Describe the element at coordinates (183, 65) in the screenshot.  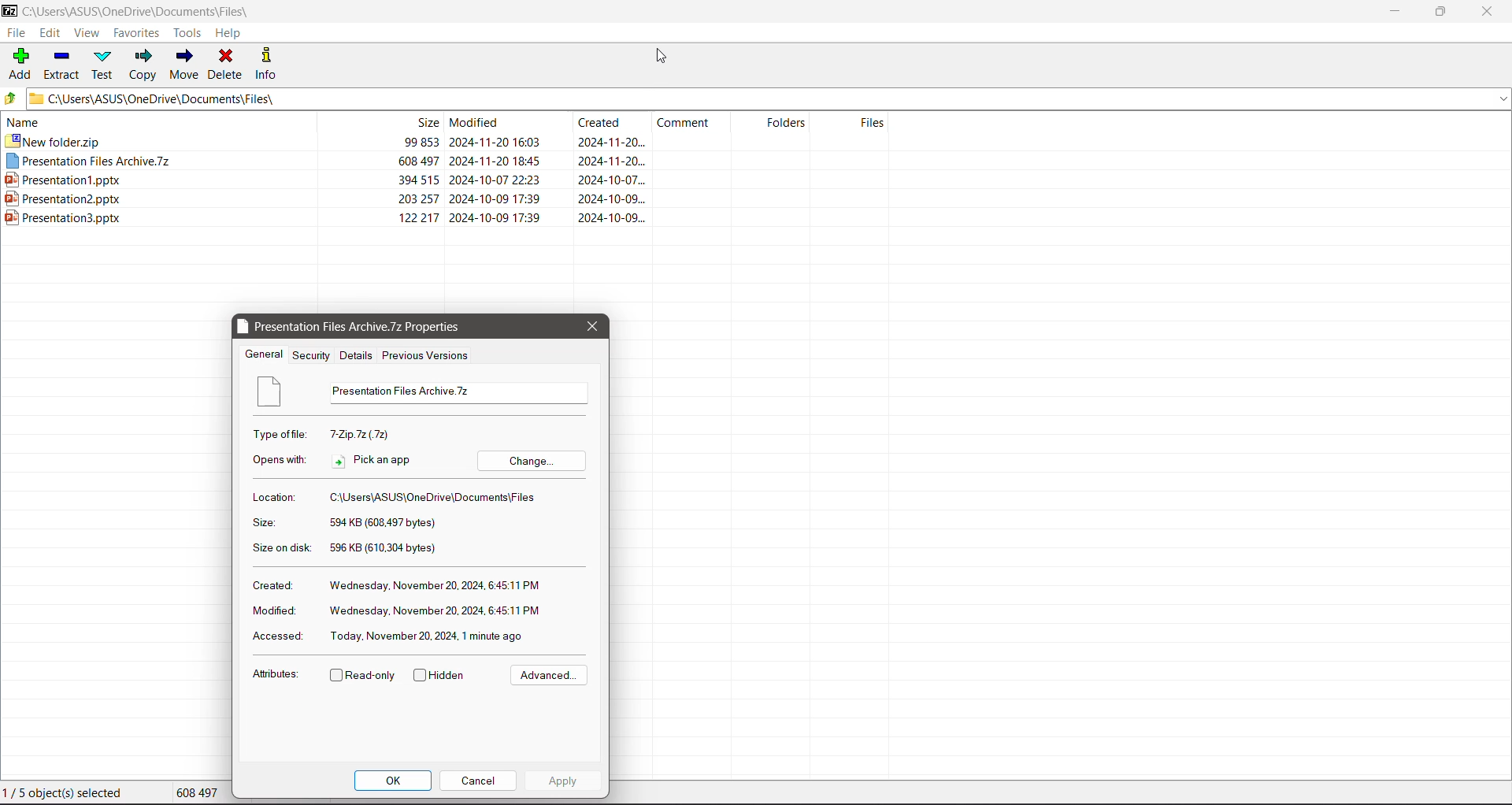
I see `Move` at that location.